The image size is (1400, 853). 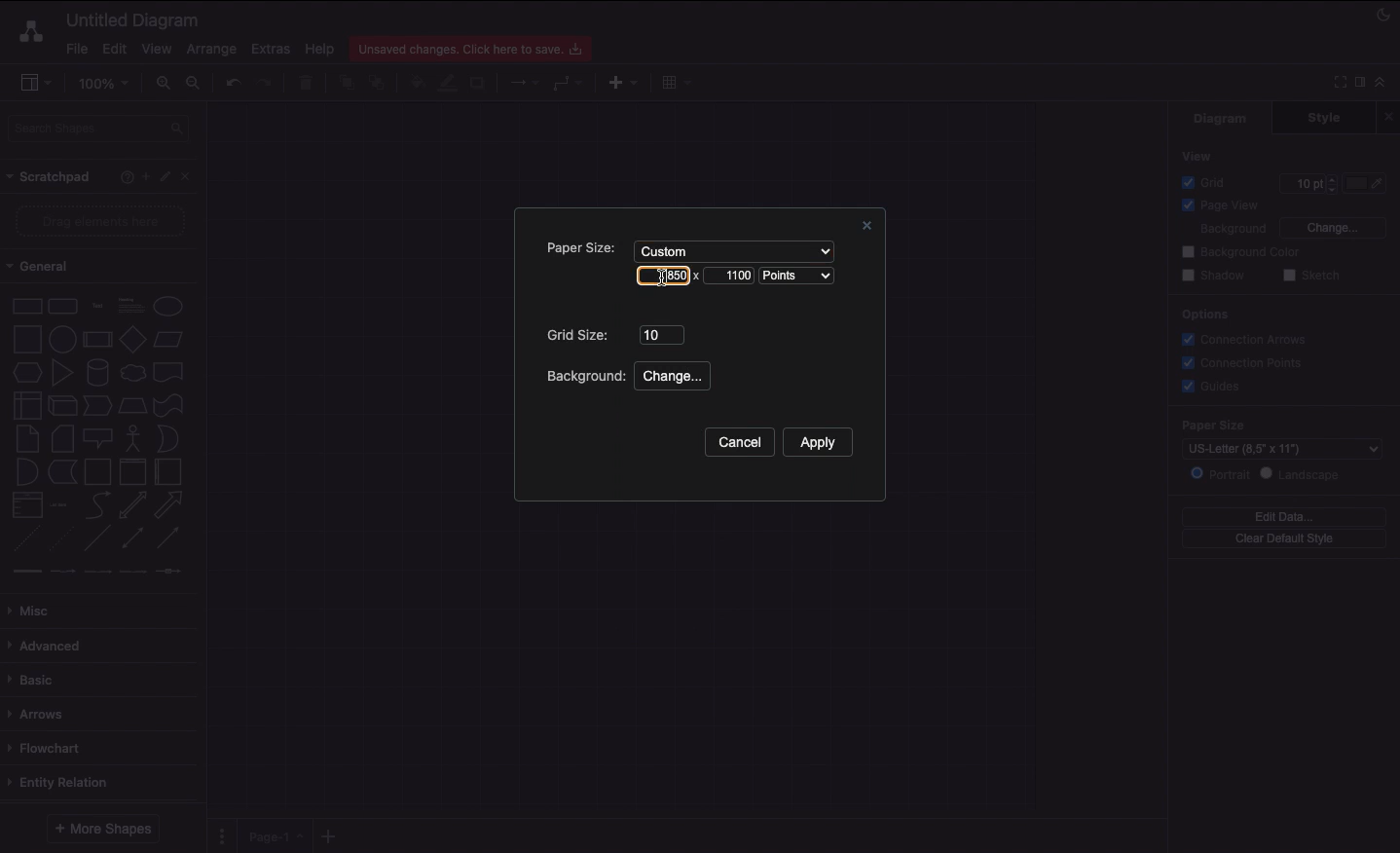 What do you see at coordinates (169, 372) in the screenshot?
I see `Document` at bounding box center [169, 372].